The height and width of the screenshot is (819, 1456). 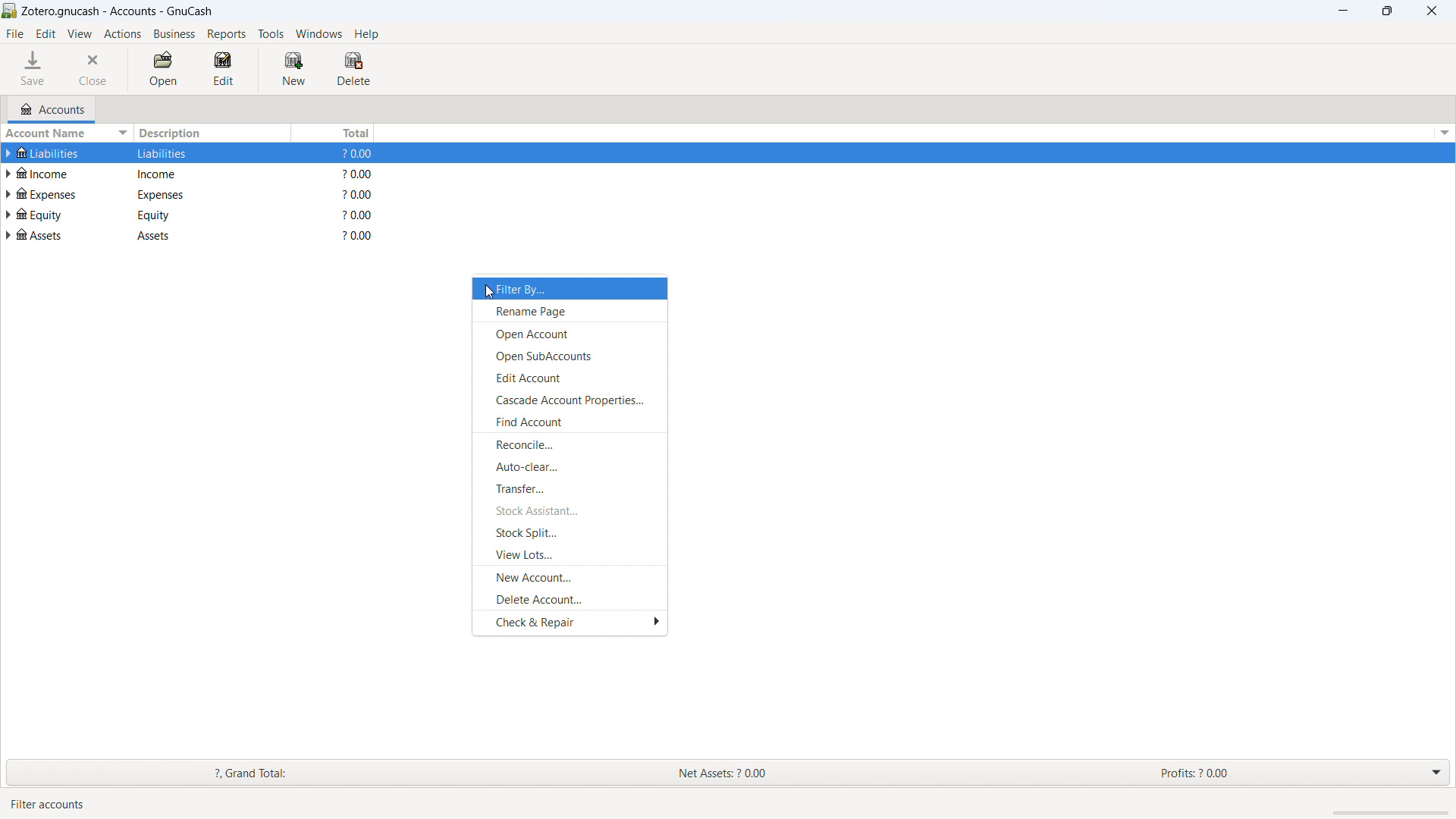 I want to click on equity, so click(x=171, y=215).